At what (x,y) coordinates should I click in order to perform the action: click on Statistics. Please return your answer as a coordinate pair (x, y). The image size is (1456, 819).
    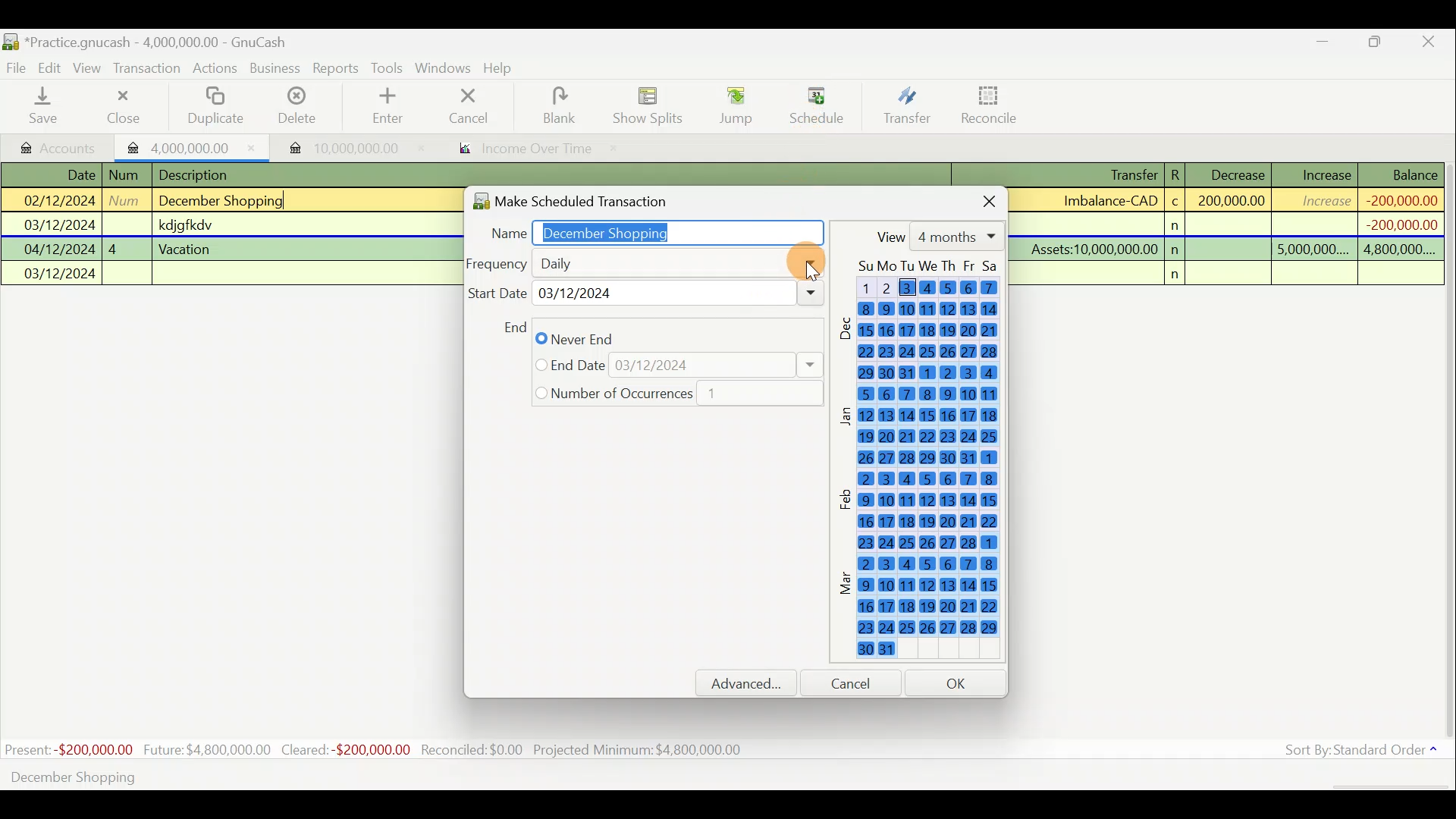
    Looking at the image, I should click on (376, 750).